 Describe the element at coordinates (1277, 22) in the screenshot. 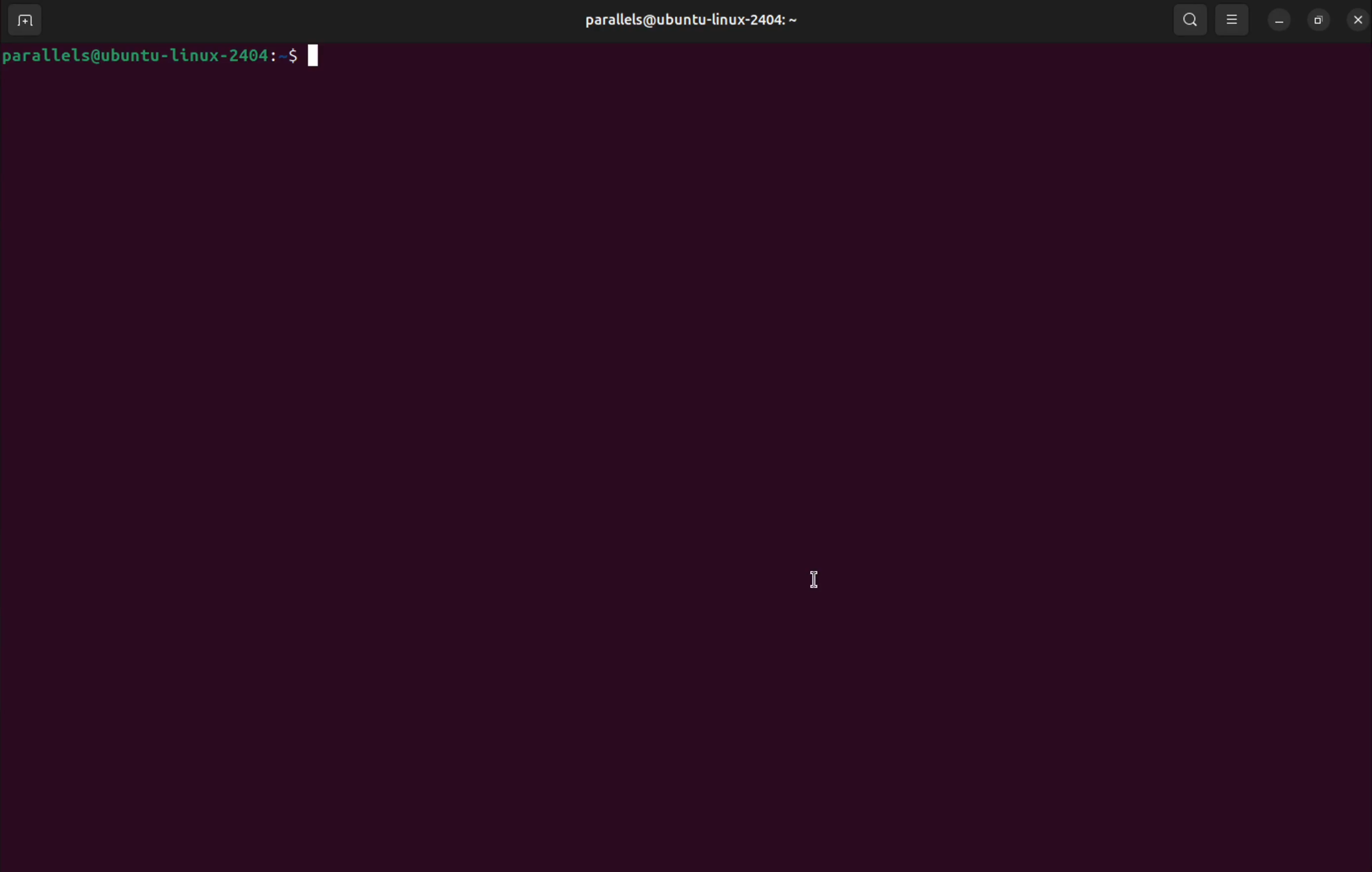

I see `minimize` at that location.